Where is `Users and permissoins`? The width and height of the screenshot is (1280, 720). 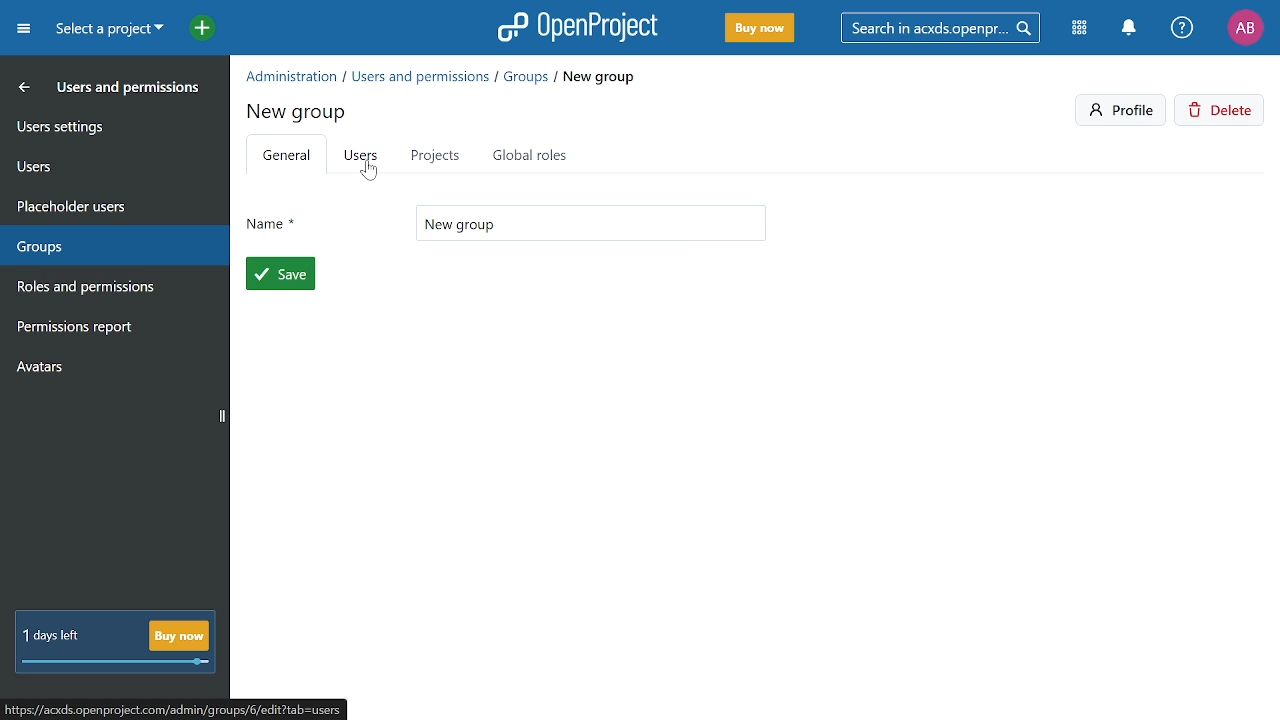 Users and permissoins is located at coordinates (130, 91).